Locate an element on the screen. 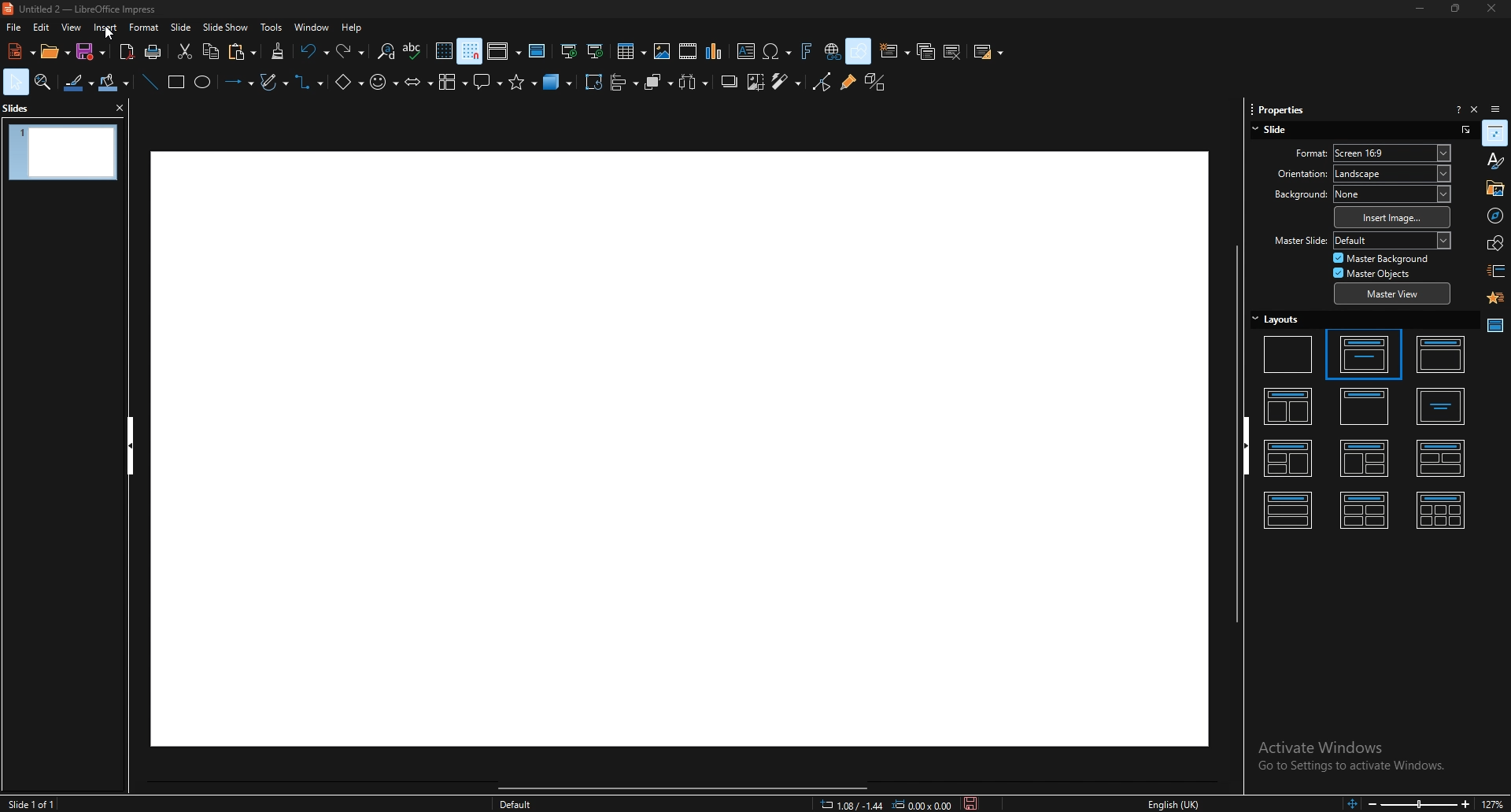  format is located at coordinates (1293, 152).